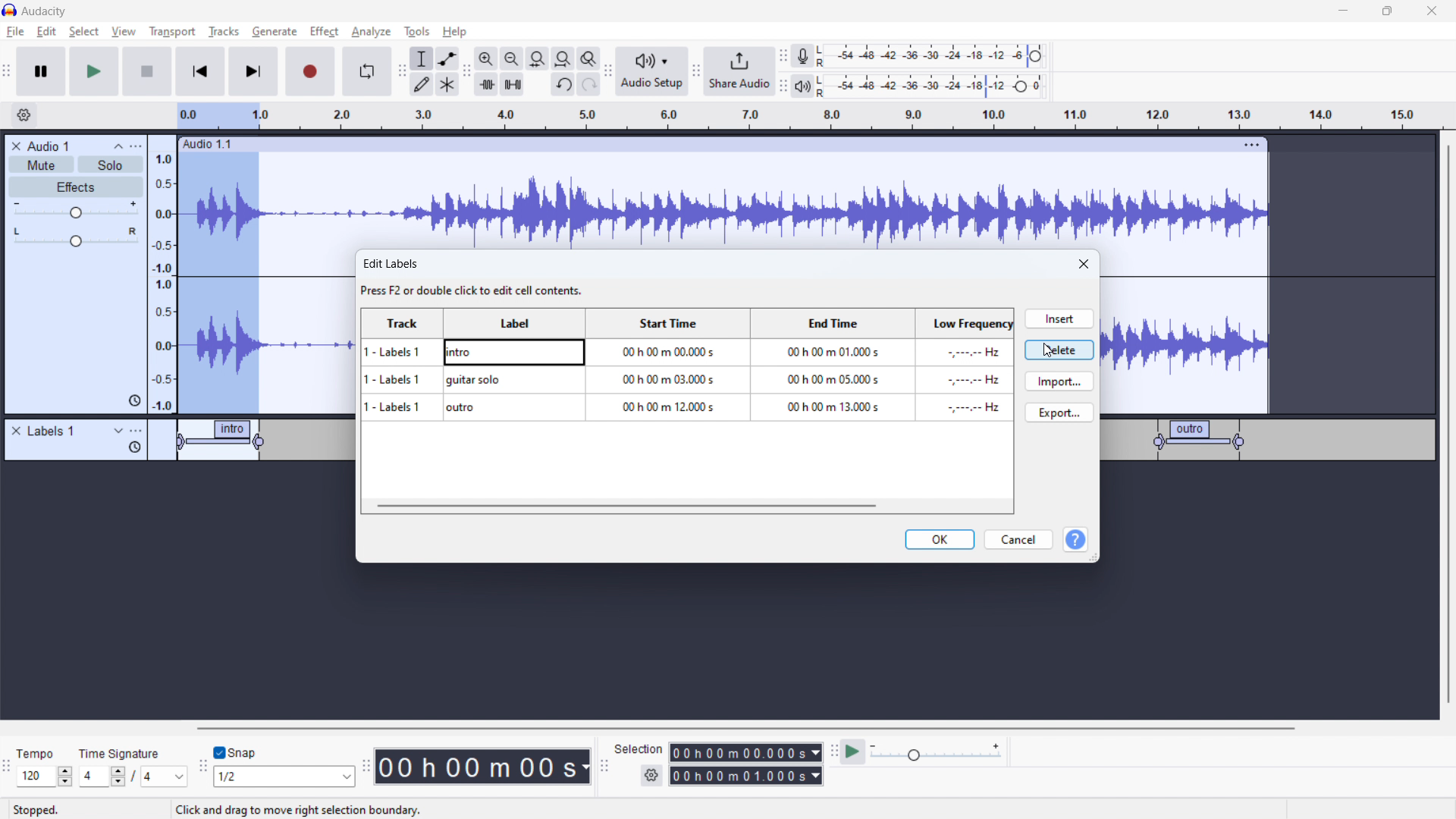 The width and height of the screenshot is (1456, 819). I want to click on pause, so click(41, 72).